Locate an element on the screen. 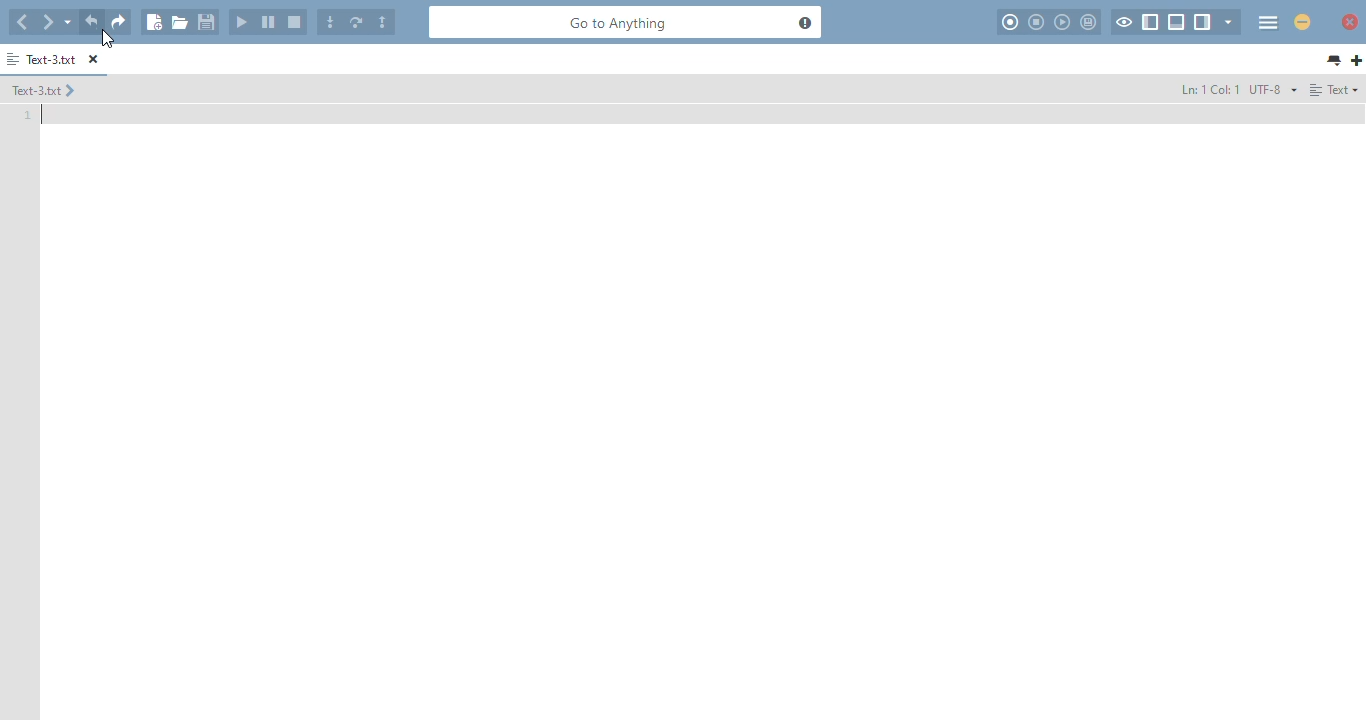 Image resolution: width=1366 pixels, height=720 pixels. go back one location is located at coordinates (22, 23).